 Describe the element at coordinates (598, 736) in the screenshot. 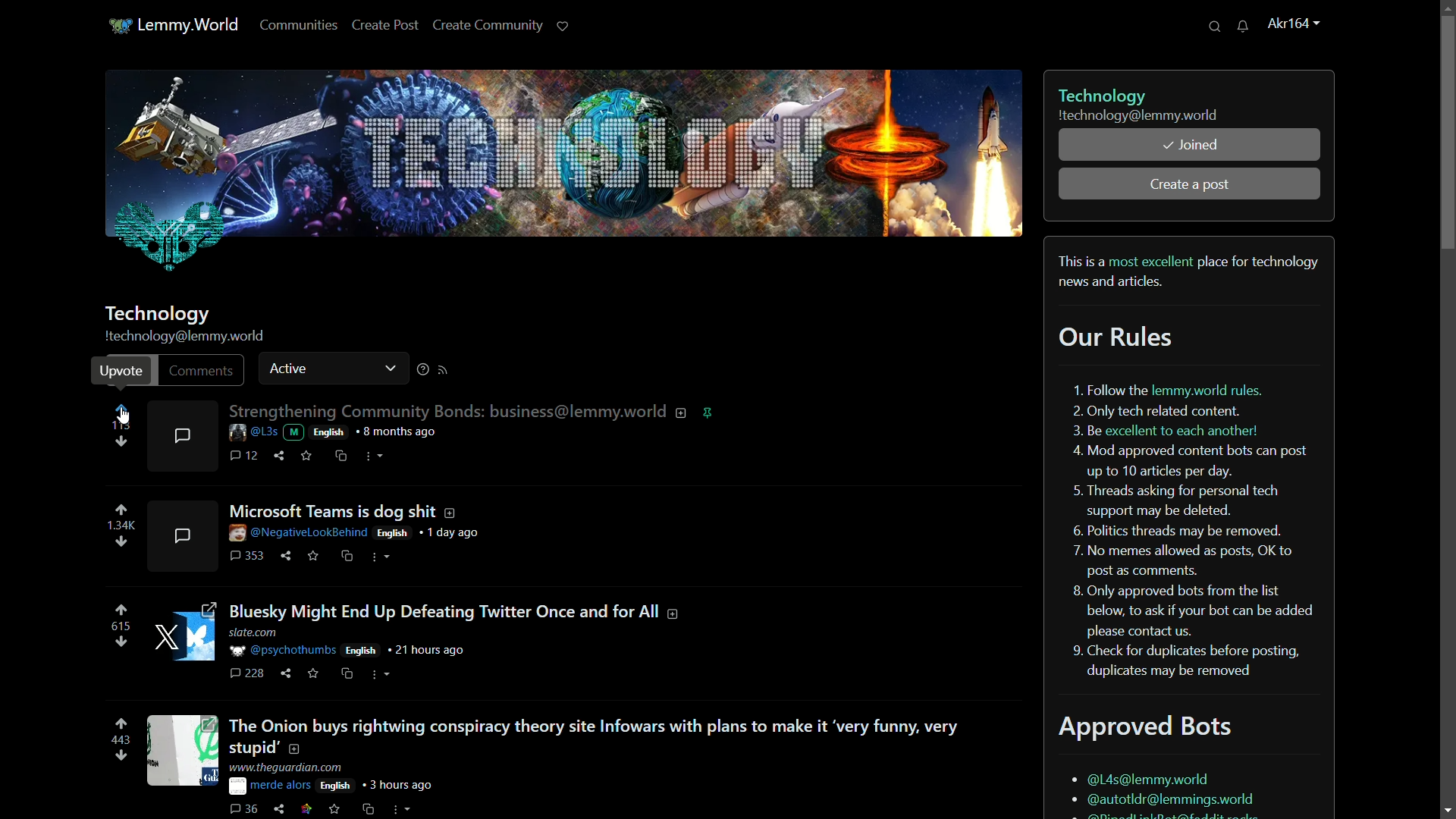

I see `post-4` at that location.